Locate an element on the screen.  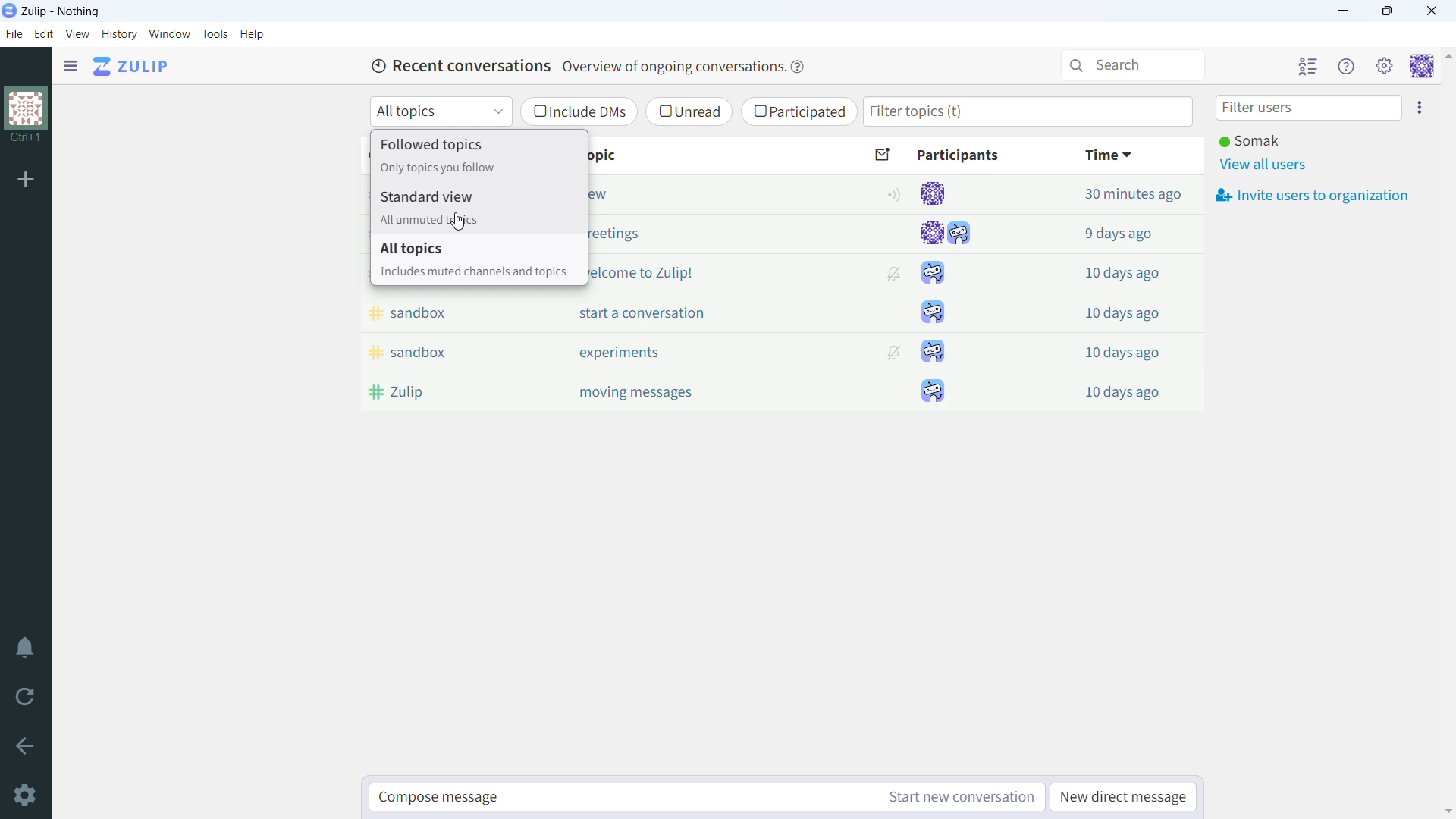
follow is located at coordinates (891, 195).